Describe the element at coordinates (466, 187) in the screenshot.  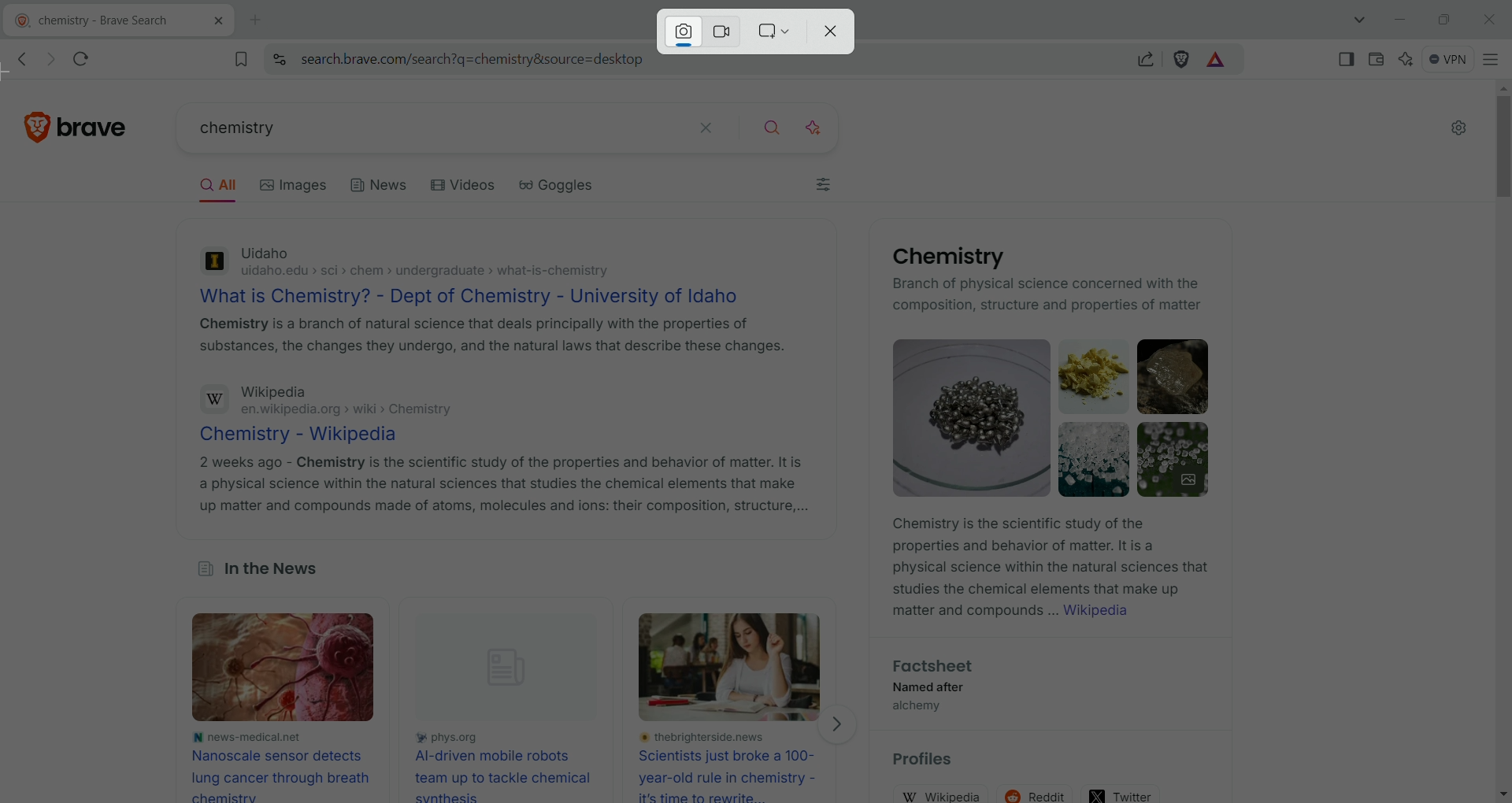
I see `Videos` at that location.